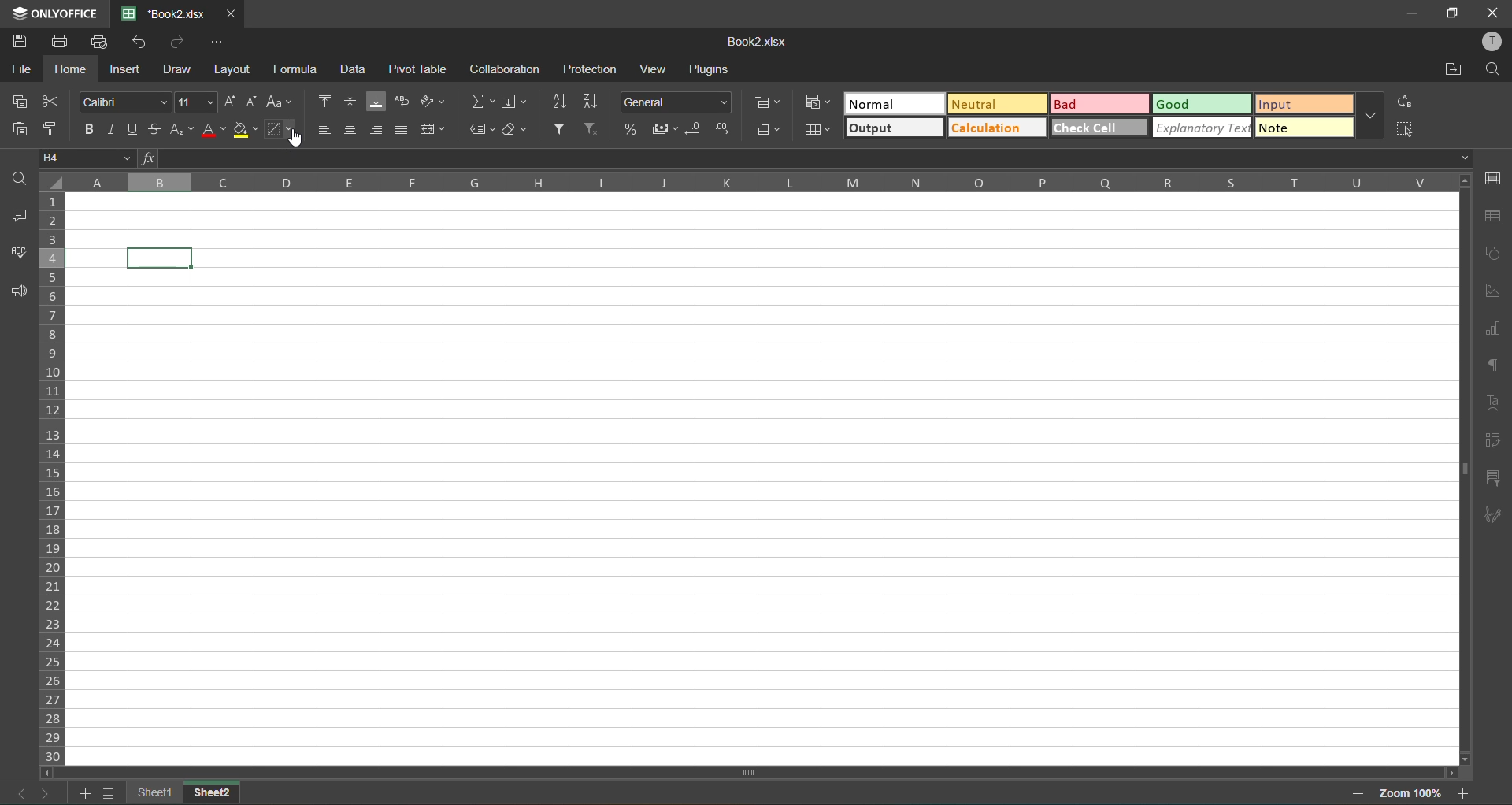  I want to click on cut, so click(56, 102).